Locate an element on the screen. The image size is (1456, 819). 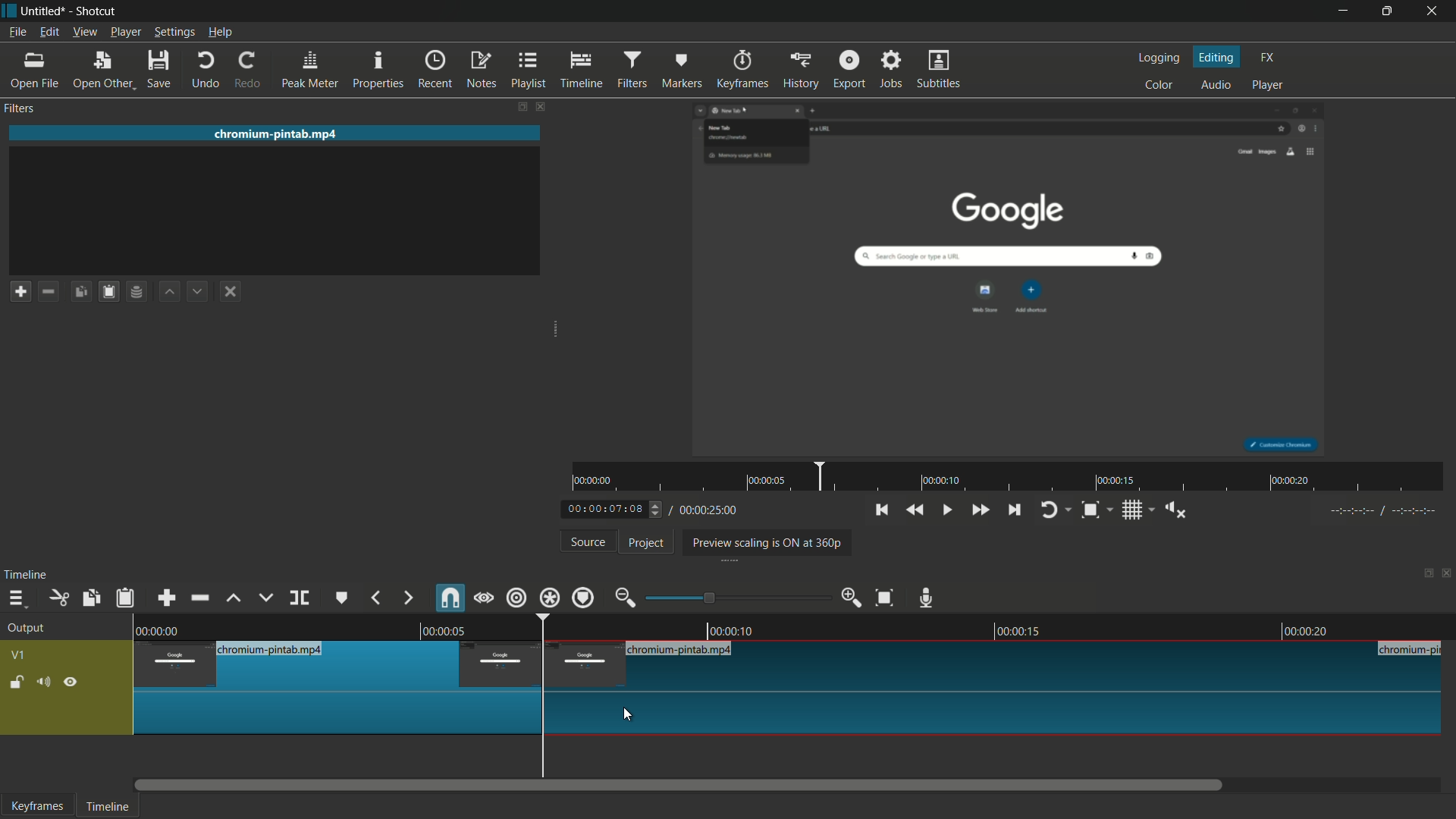
timeline is located at coordinates (105, 808).